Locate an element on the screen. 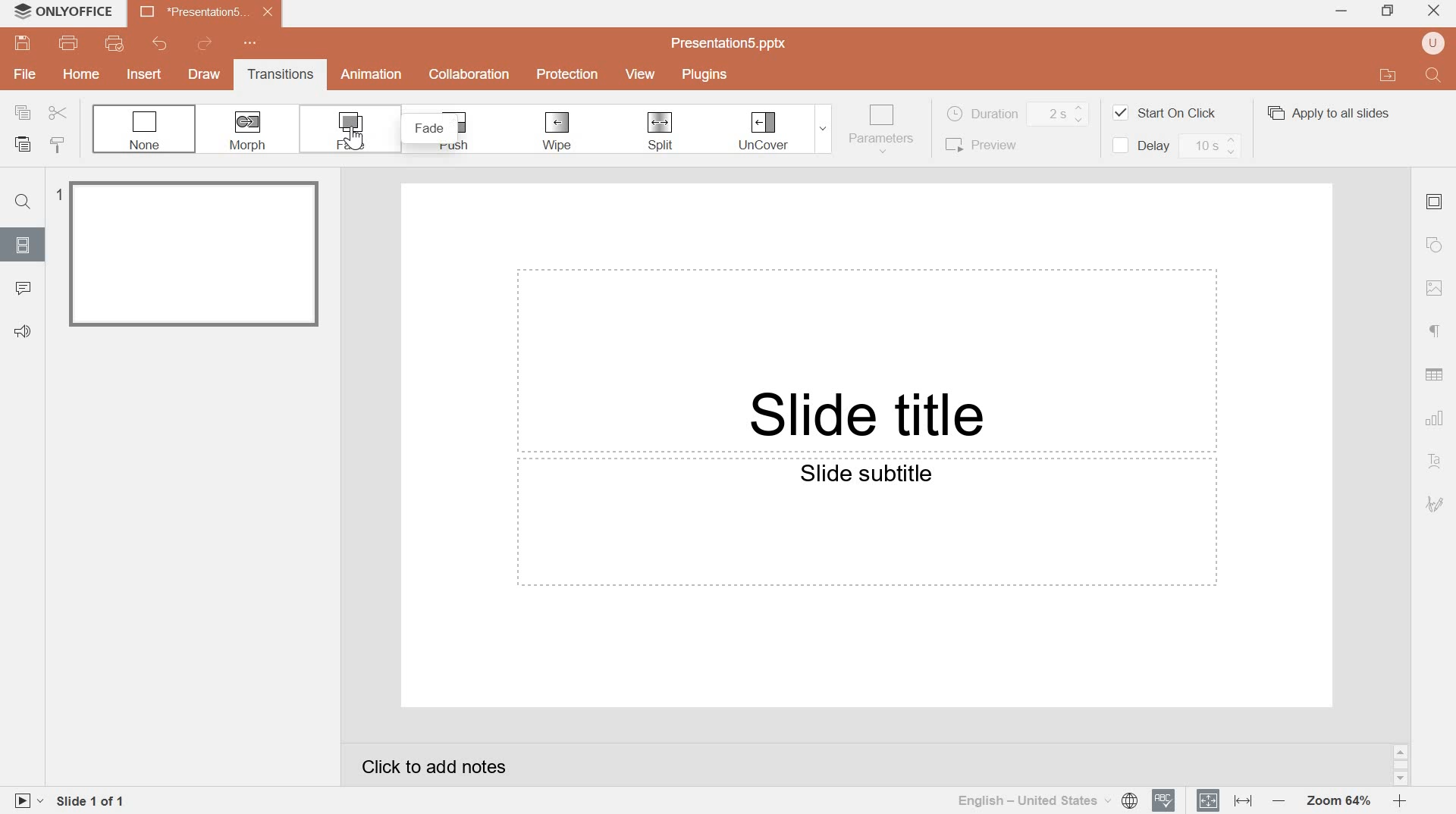 Image resolution: width=1456 pixels, height=814 pixels. undo is located at coordinates (158, 42).